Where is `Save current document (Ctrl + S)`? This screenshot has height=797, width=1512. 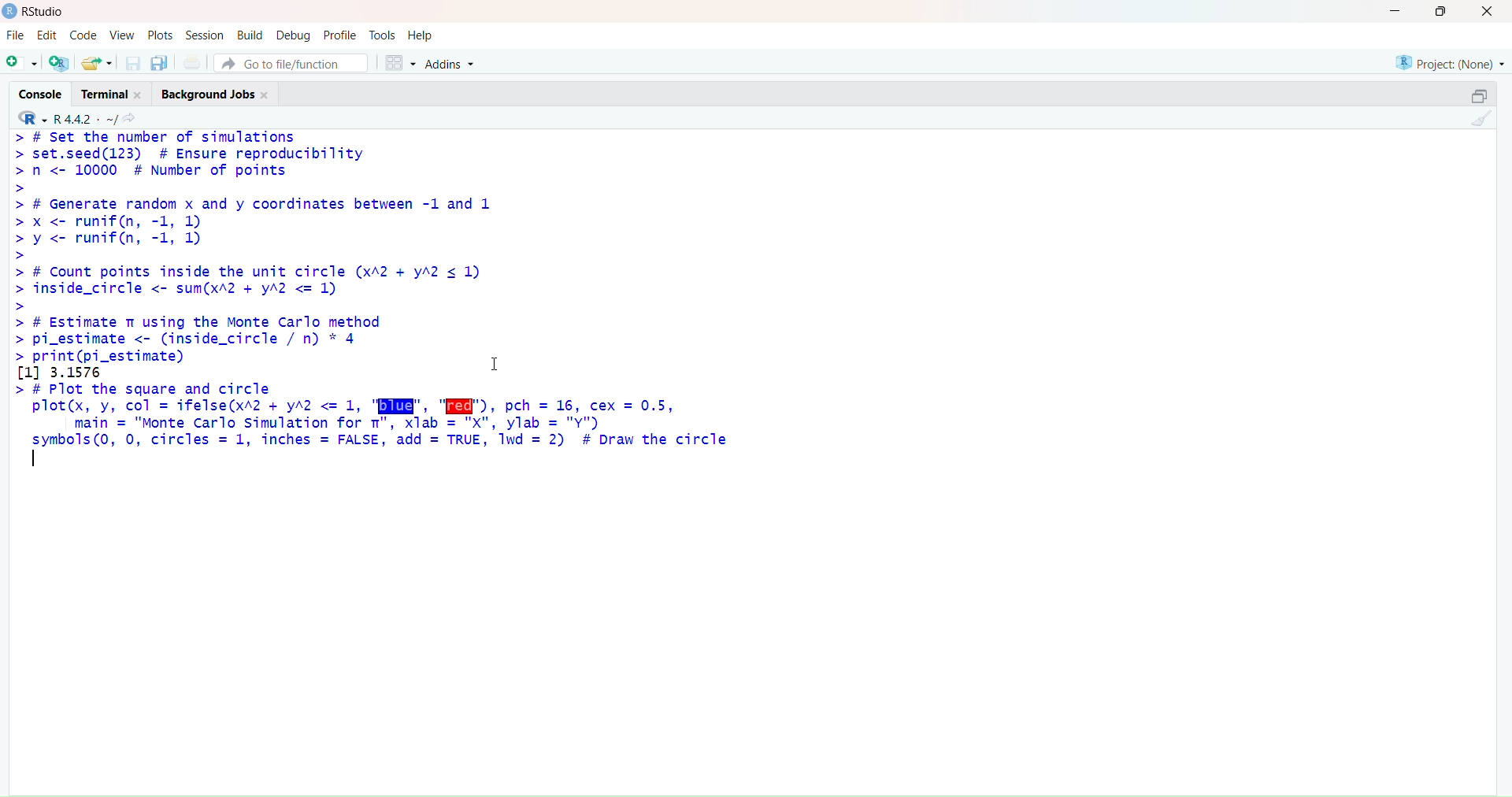 Save current document (Ctrl + S) is located at coordinates (131, 61).